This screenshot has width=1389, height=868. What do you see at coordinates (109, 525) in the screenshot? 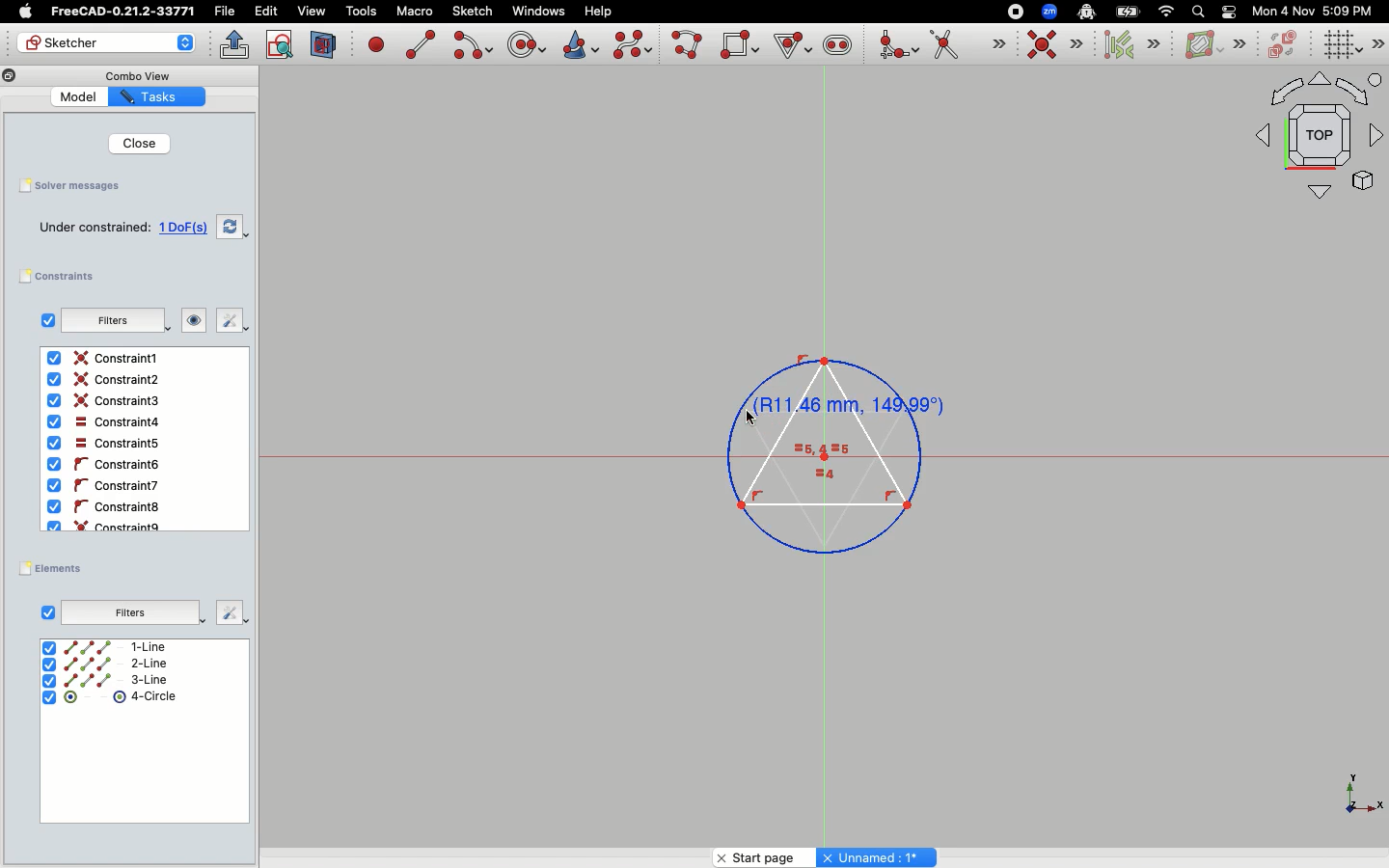
I see `Constraint9` at bounding box center [109, 525].